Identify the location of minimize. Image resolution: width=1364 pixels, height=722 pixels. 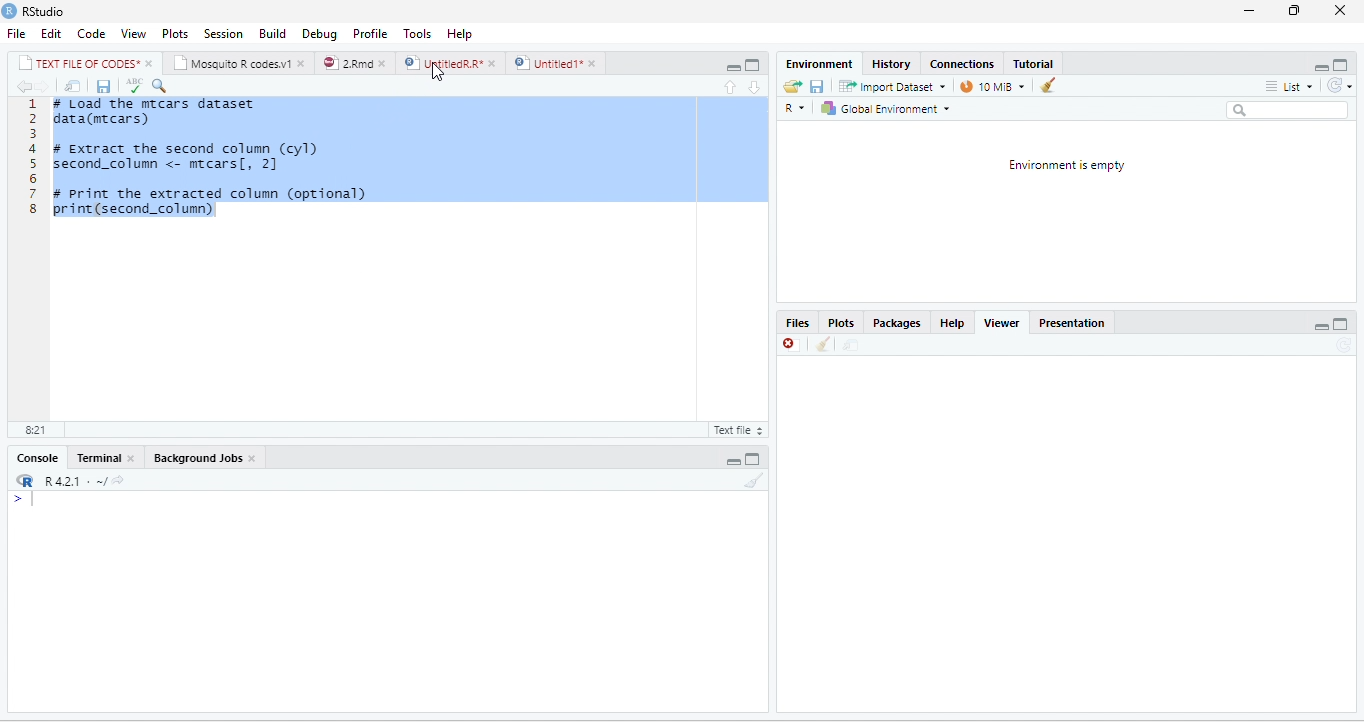
(1323, 64).